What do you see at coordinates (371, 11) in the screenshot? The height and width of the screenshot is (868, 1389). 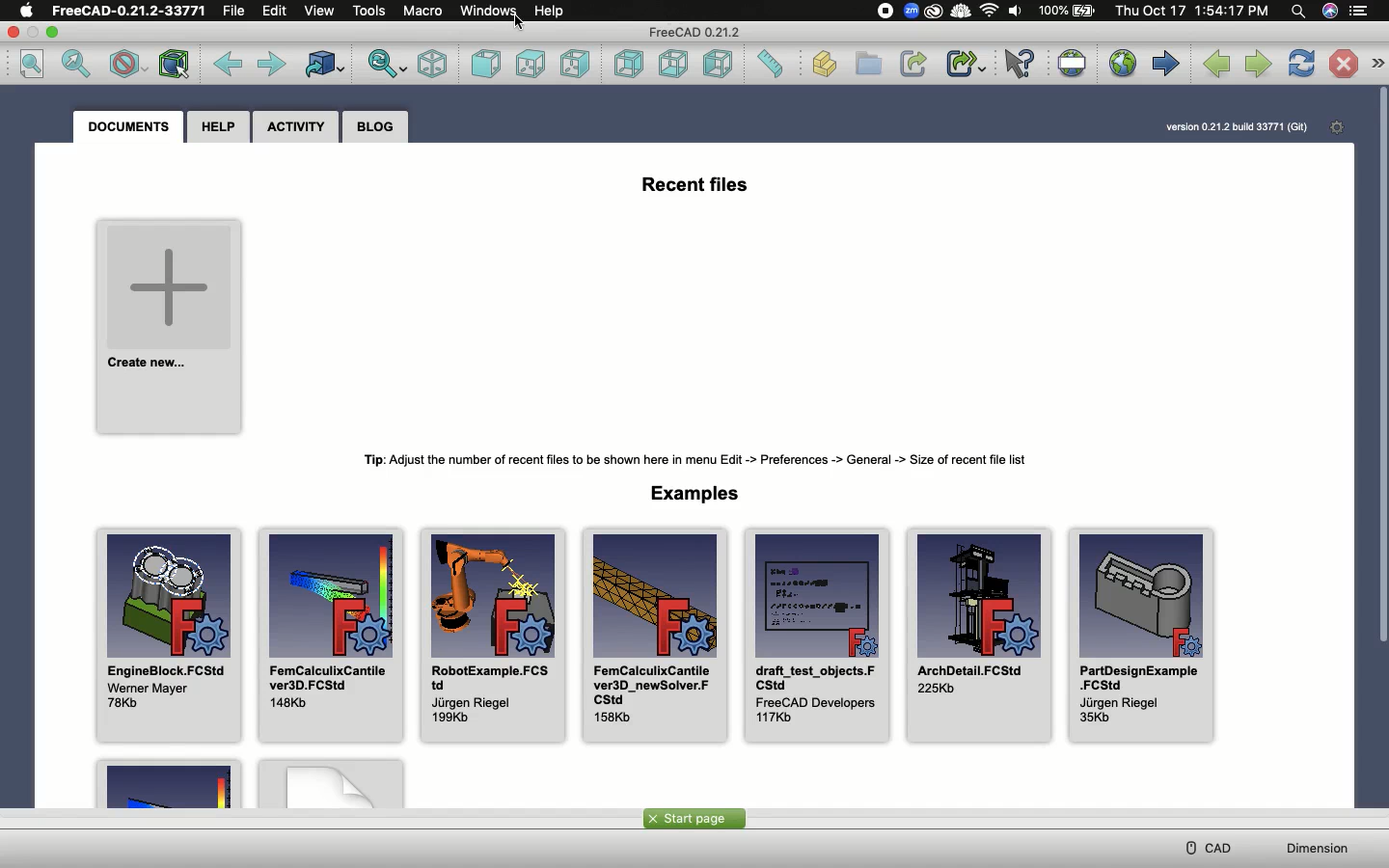 I see `Tools` at bounding box center [371, 11].